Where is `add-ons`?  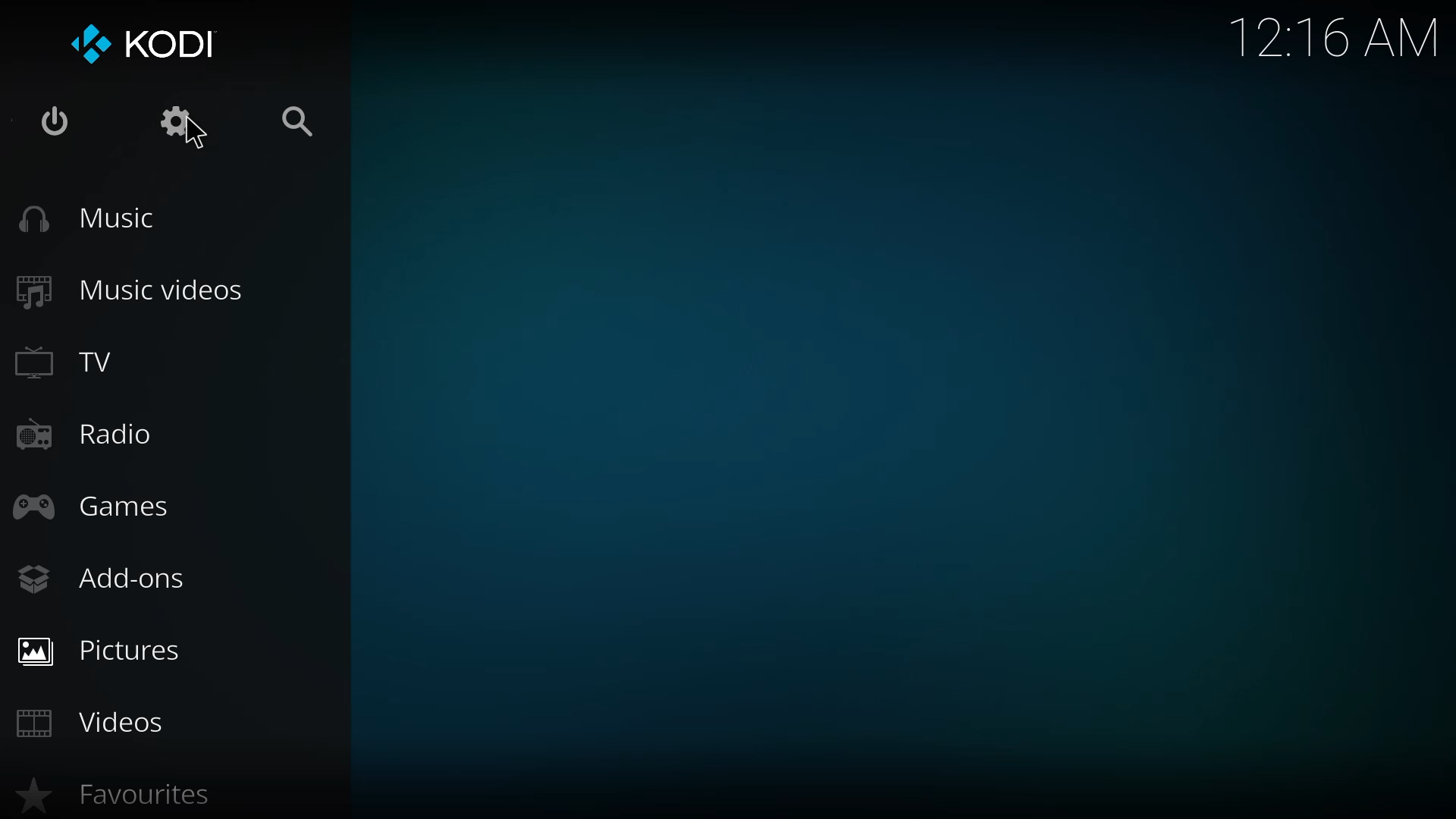 add-ons is located at coordinates (108, 579).